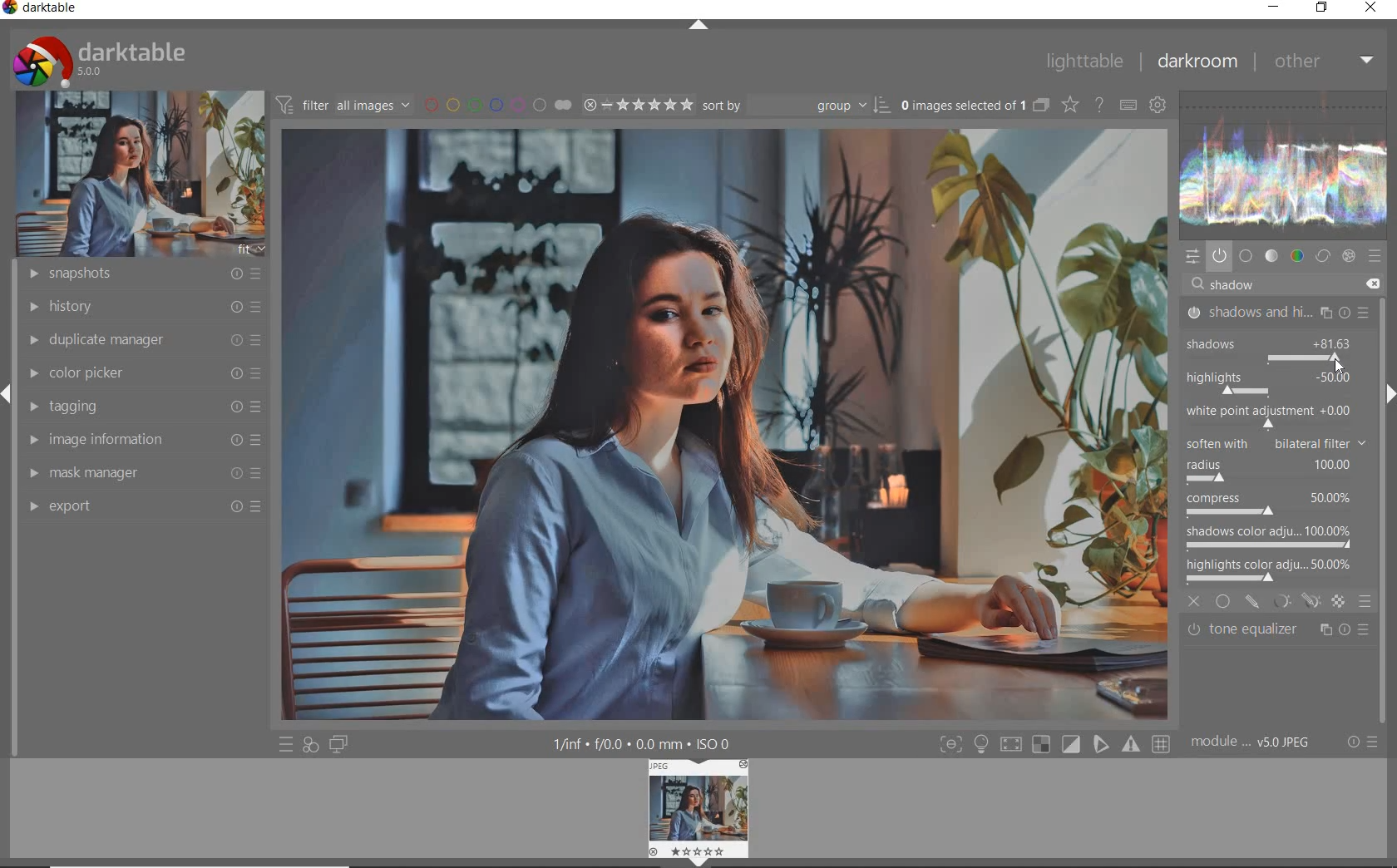  Describe the element at coordinates (343, 104) in the screenshot. I see `filter all images` at that location.